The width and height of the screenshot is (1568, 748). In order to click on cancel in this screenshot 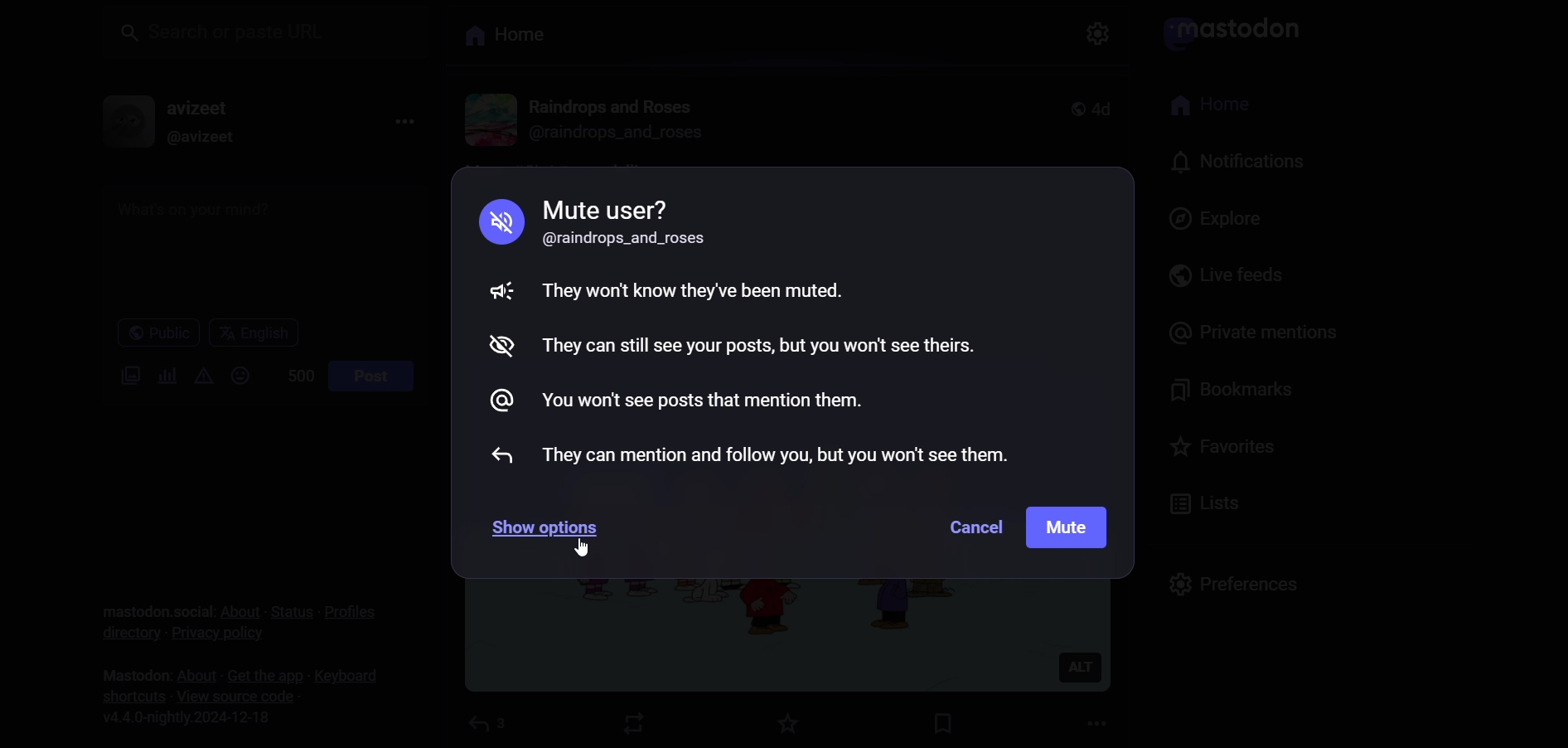, I will do `click(971, 531)`.